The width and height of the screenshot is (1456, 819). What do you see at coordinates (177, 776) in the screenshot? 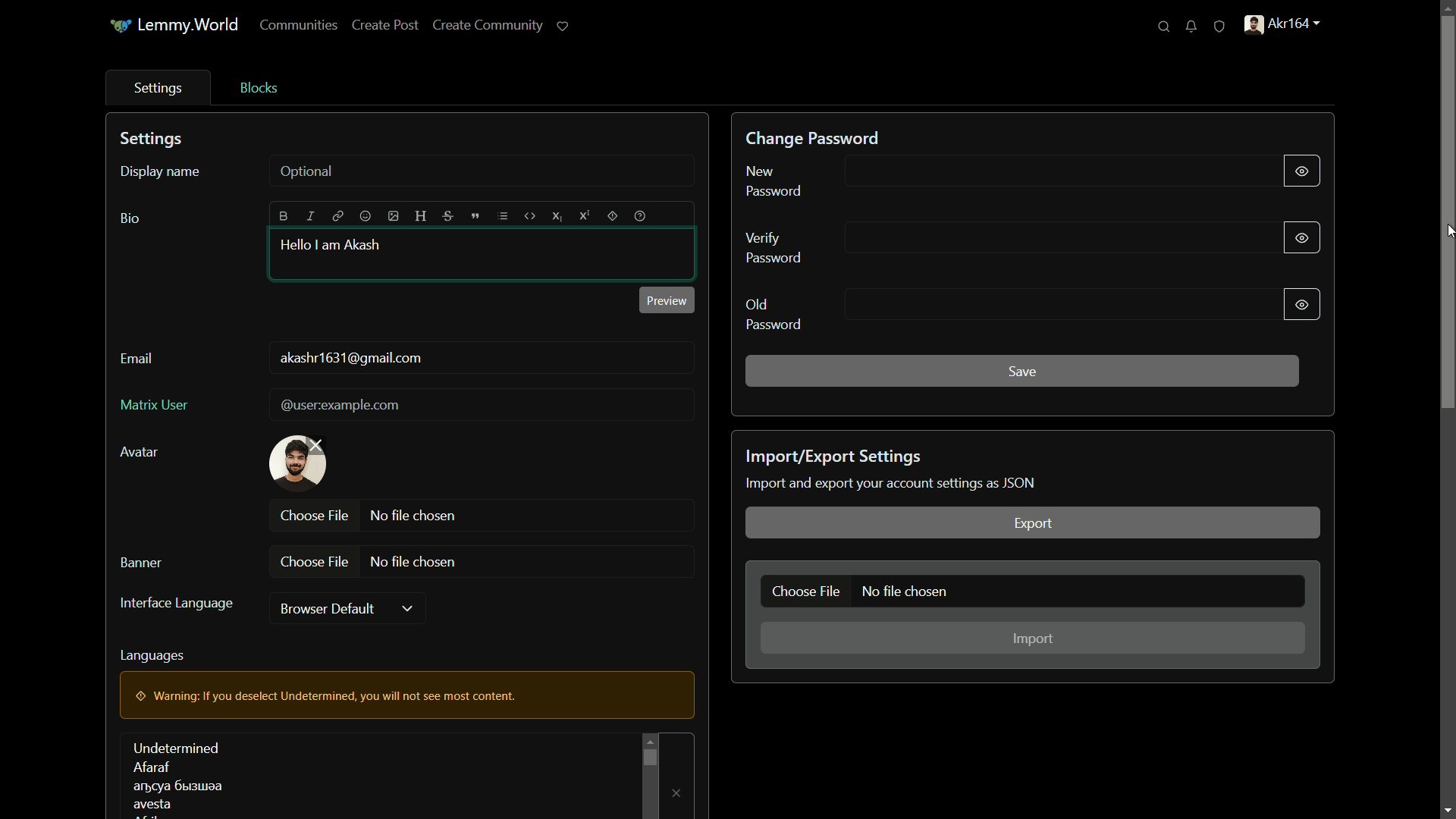
I see `languages` at bounding box center [177, 776].